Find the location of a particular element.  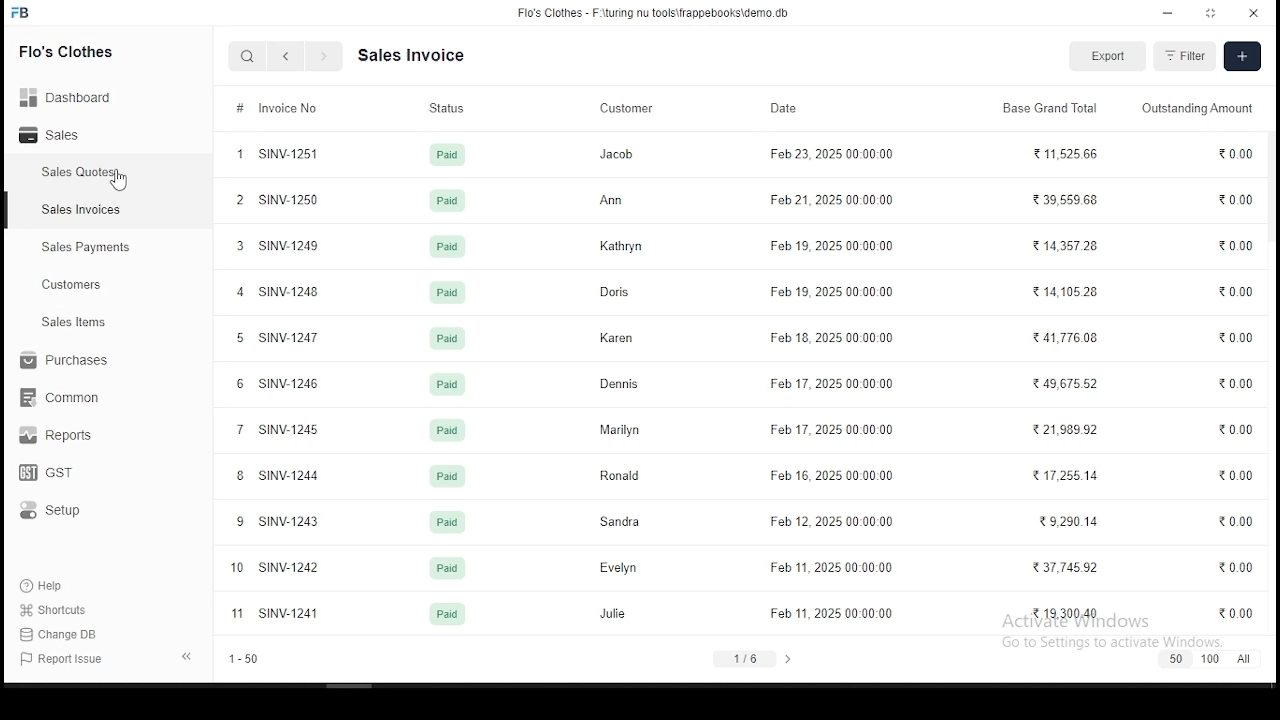

outstanding amount is located at coordinates (1202, 111).